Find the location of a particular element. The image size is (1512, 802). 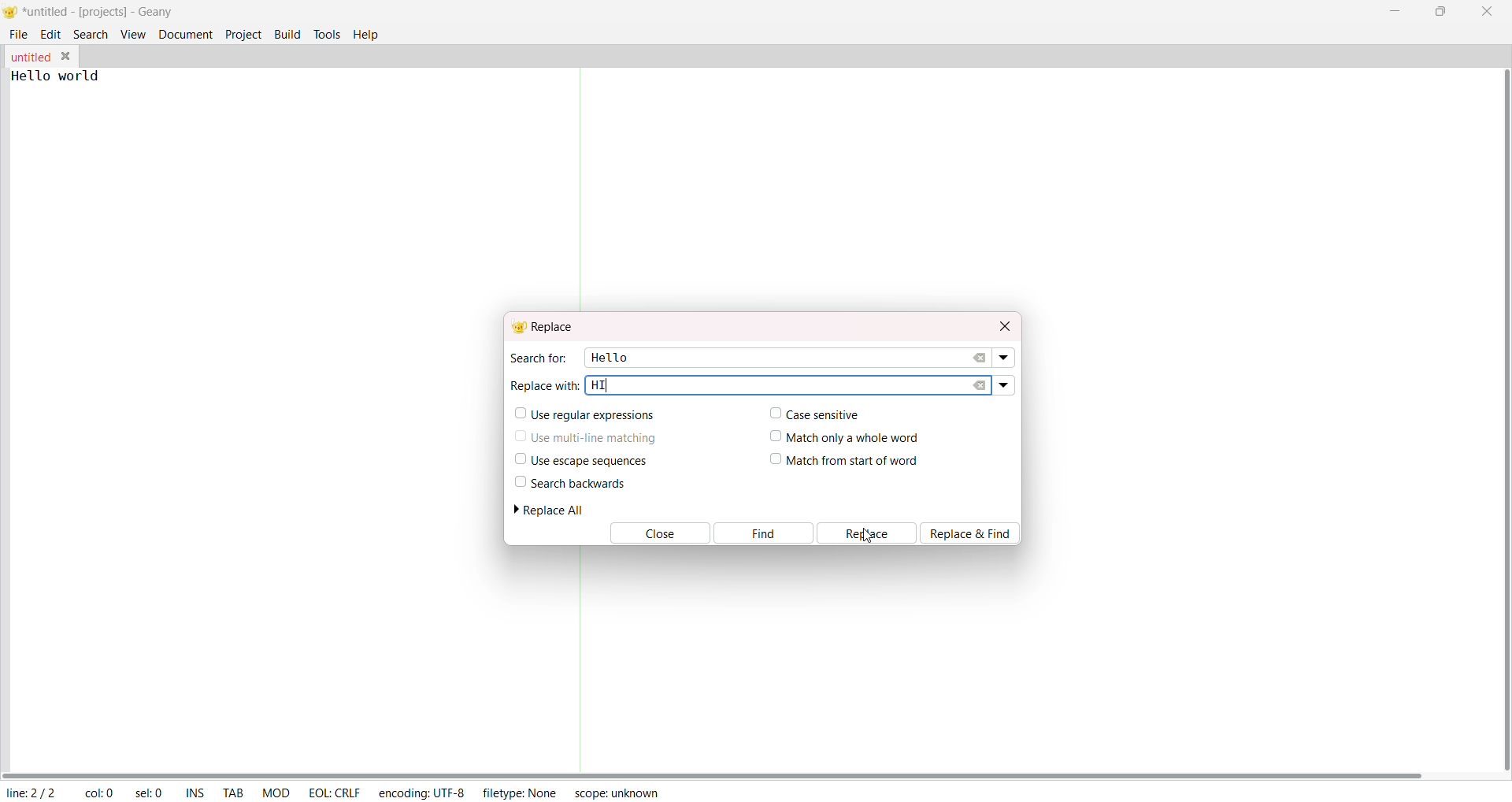

close is located at coordinates (1487, 11).